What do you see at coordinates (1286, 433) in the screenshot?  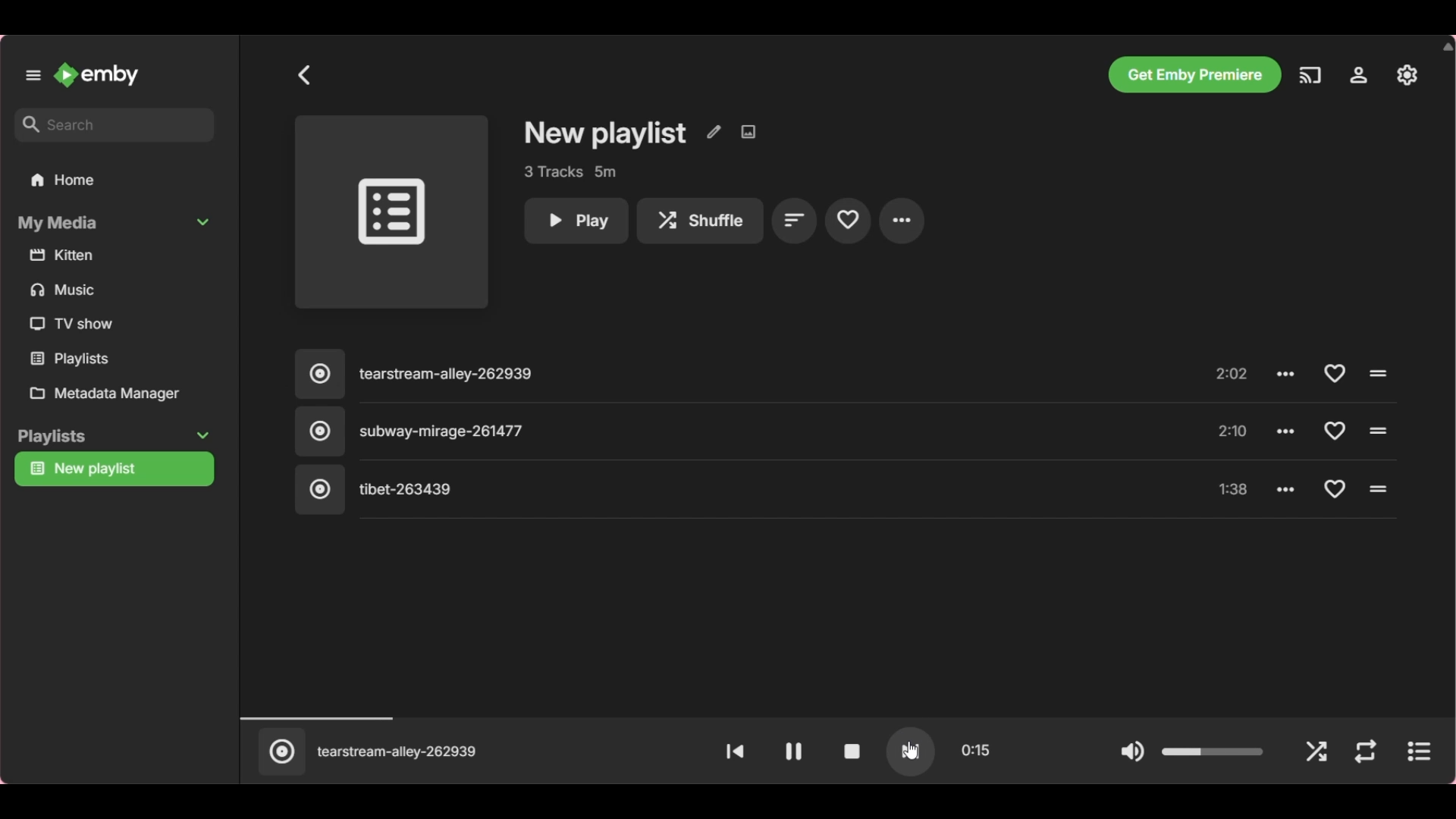 I see `options` at bounding box center [1286, 433].